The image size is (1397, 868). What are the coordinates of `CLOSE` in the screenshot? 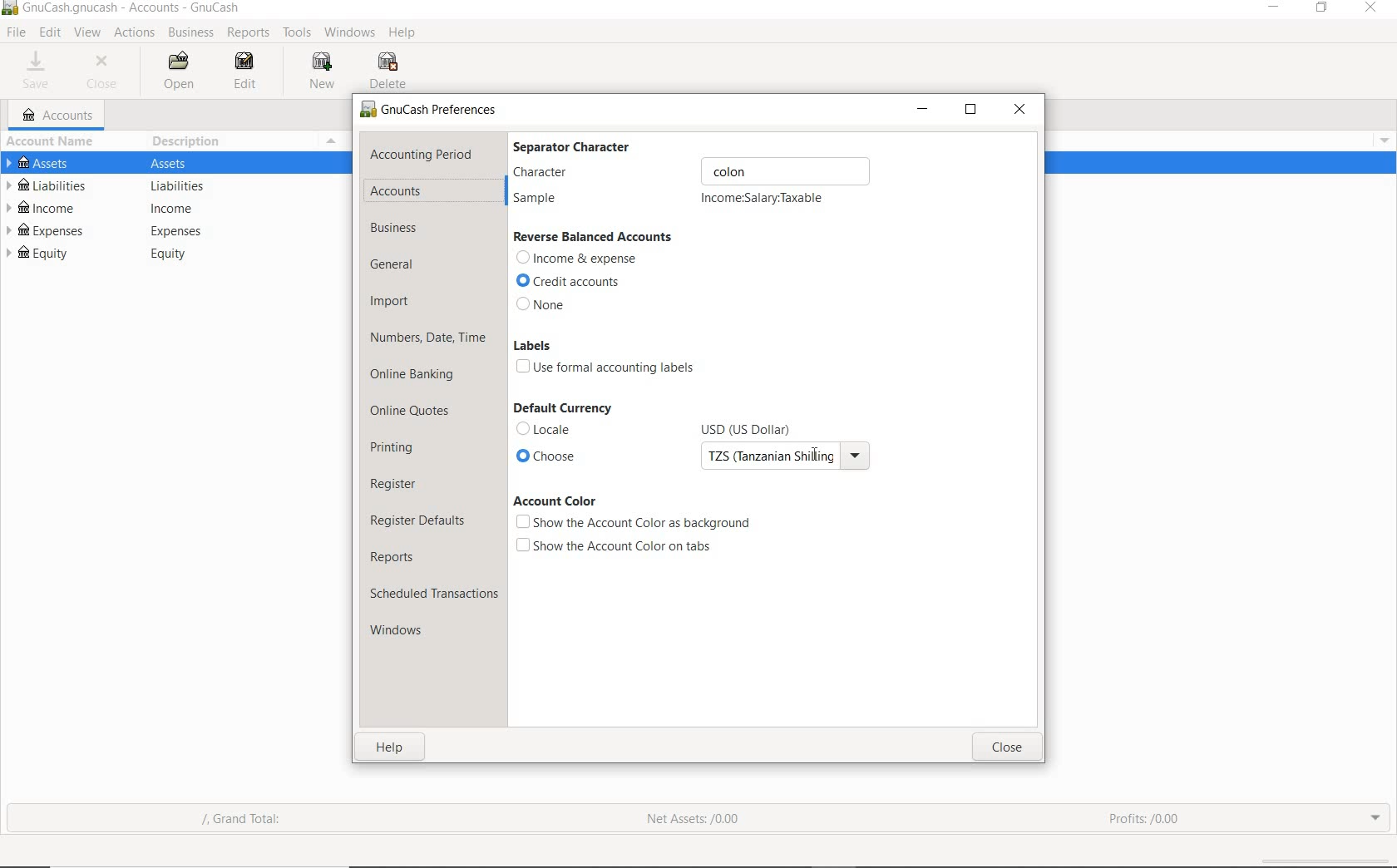 It's located at (105, 70).